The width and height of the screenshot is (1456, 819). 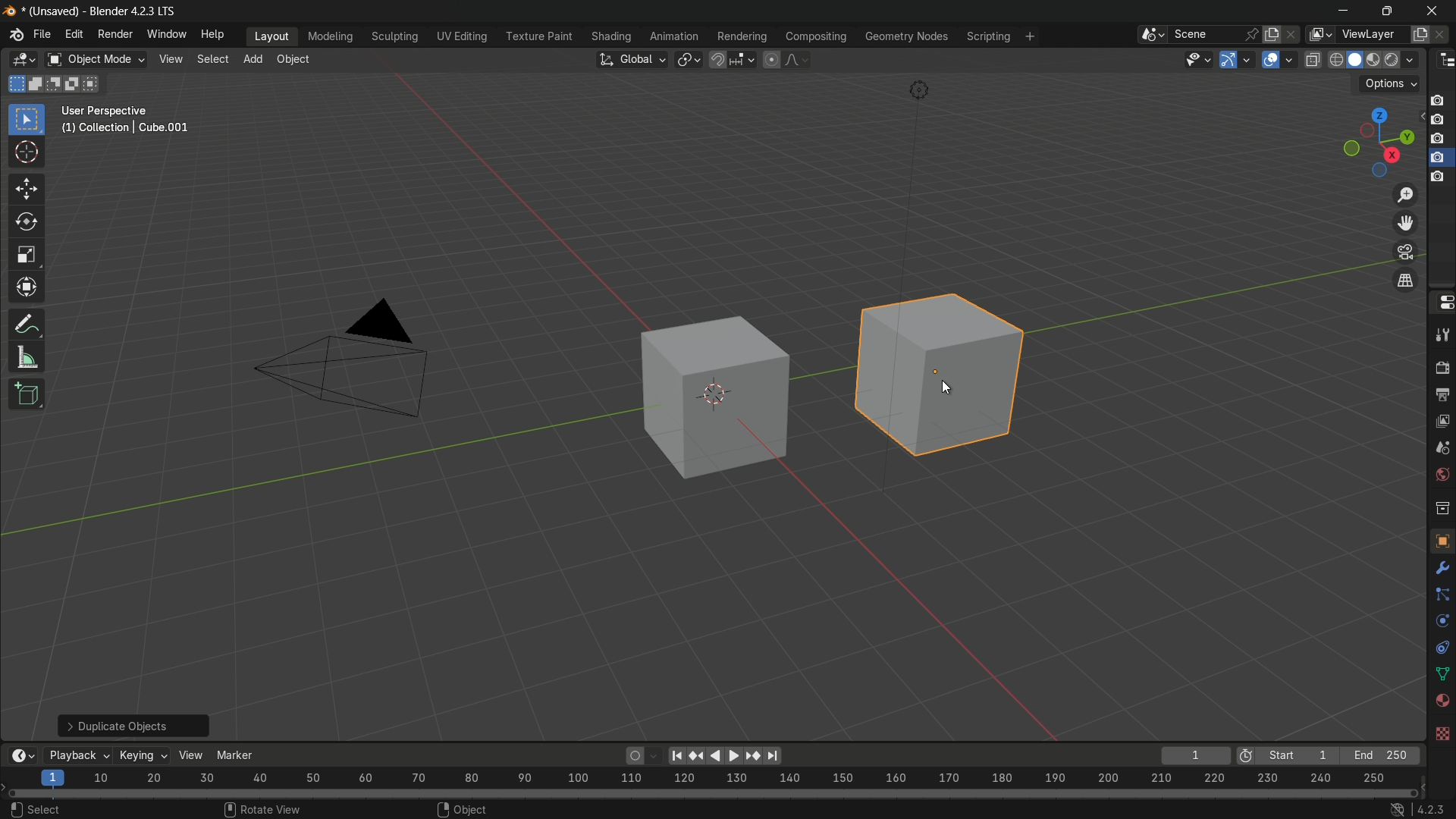 I want to click on camera, so click(x=352, y=360).